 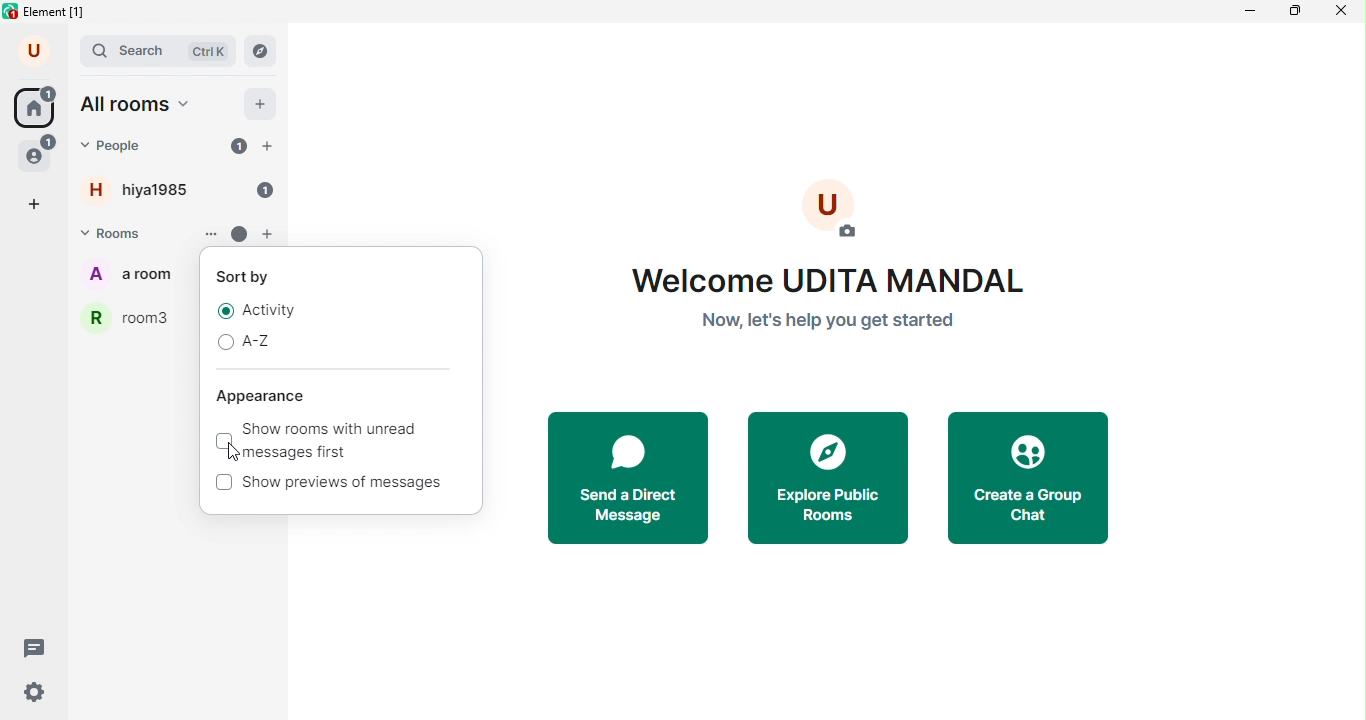 I want to click on show rooms with unread messages first, so click(x=339, y=442).